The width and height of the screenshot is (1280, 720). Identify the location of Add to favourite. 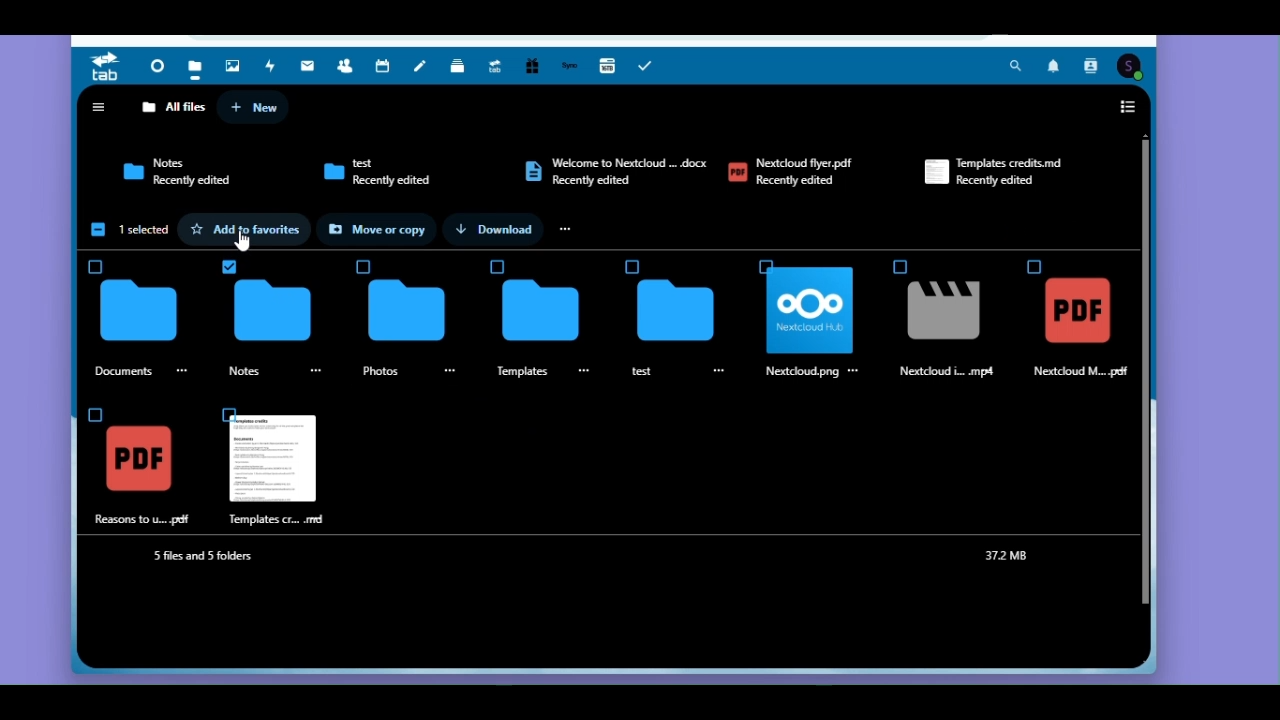
(260, 229).